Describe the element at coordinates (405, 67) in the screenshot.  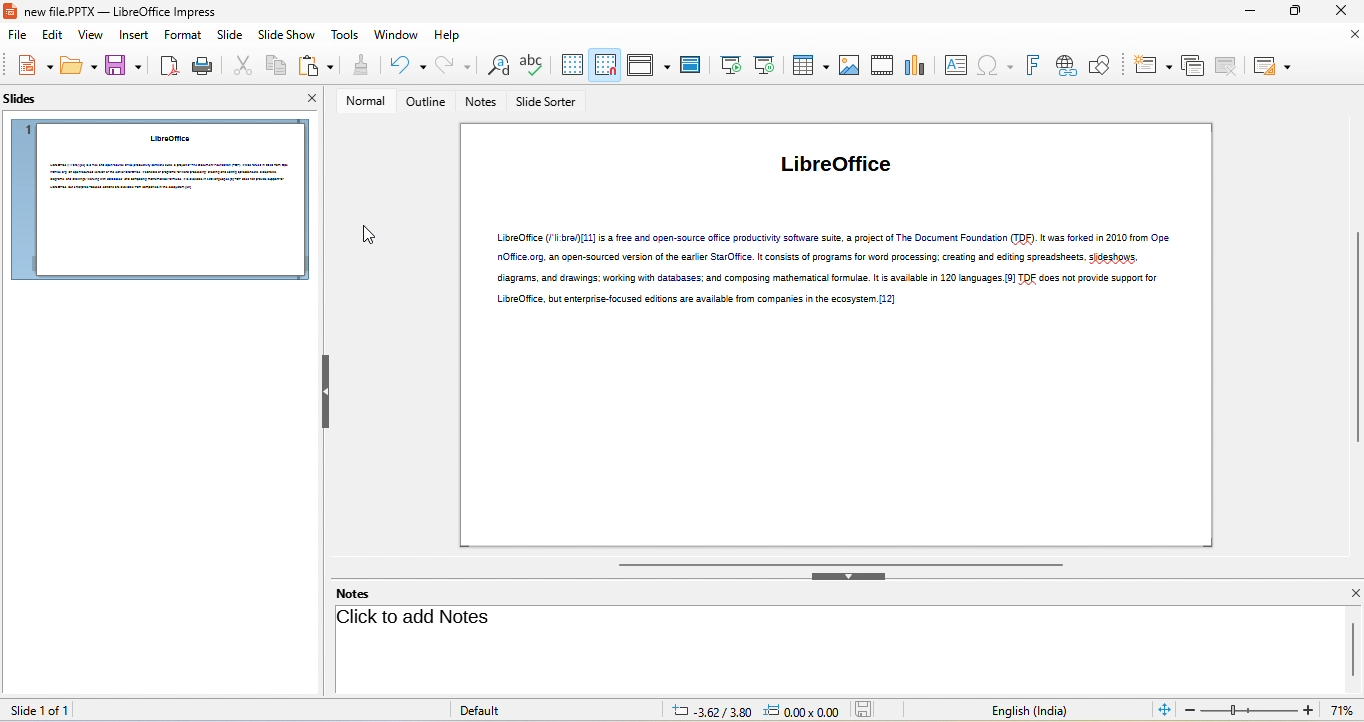
I see `undo` at that location.